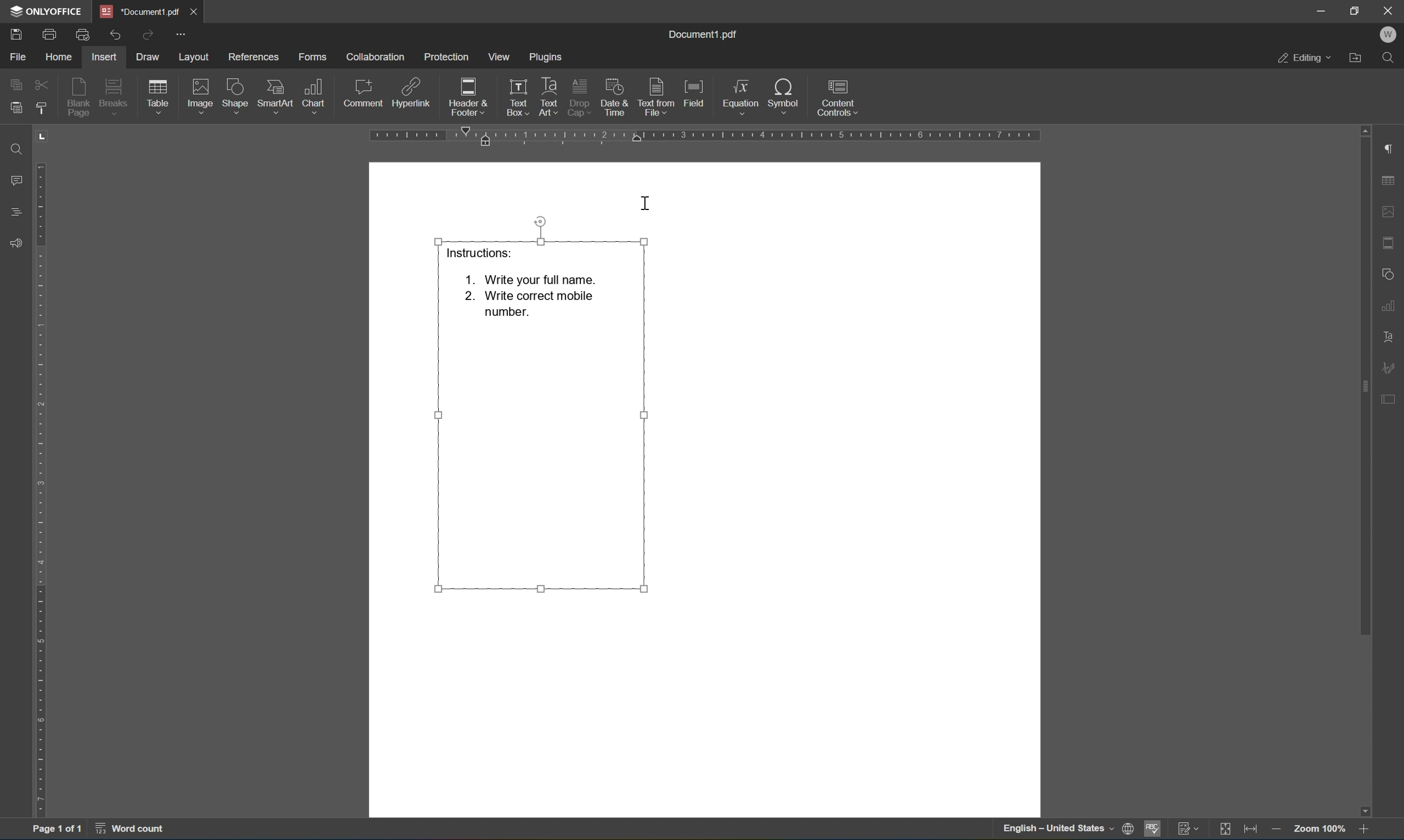  Describe the element at coordinates (313, 57) in the screenshot. I see `forms` at that location.